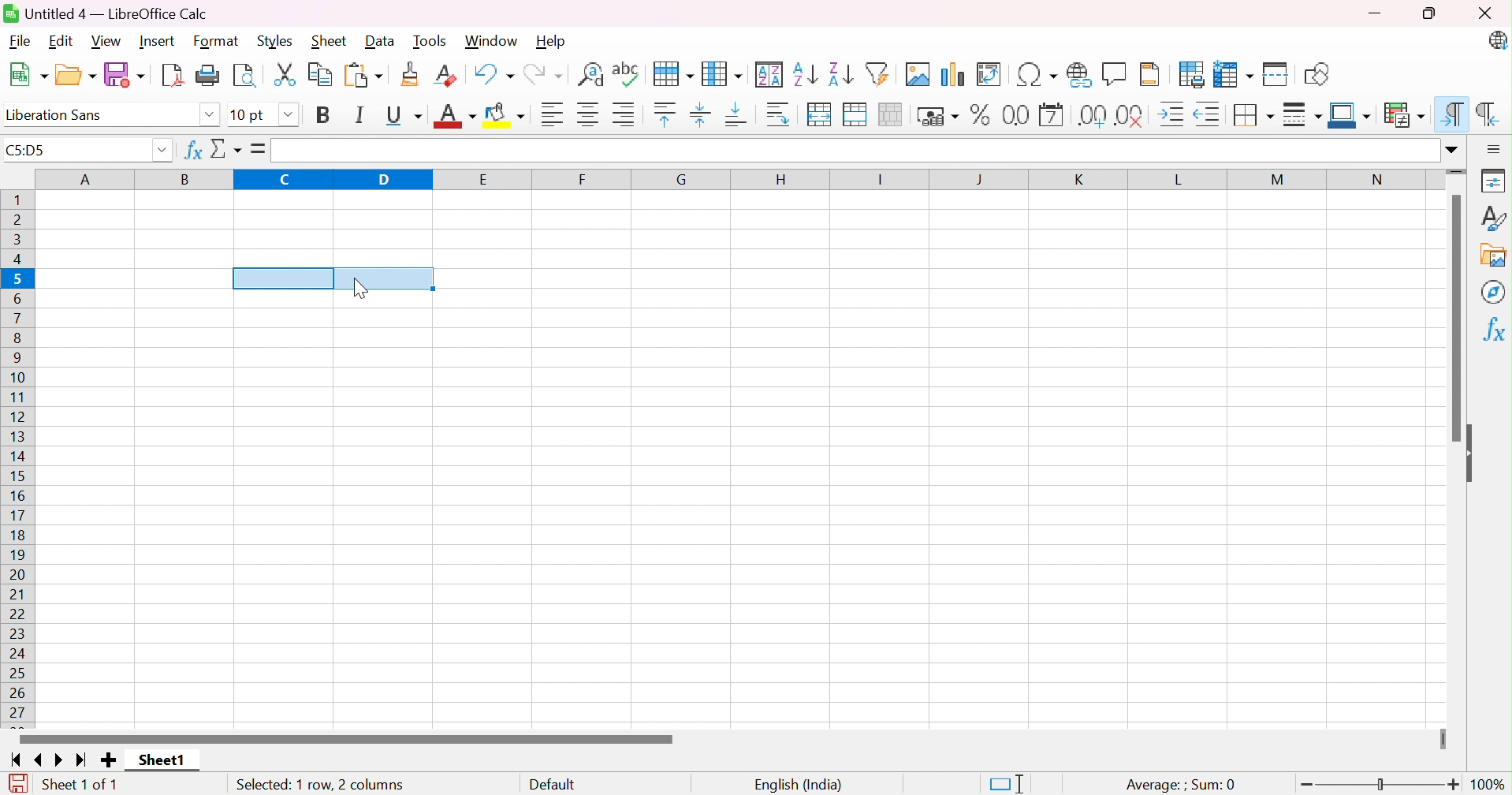 Image resolution: width=1512 pixels, height=795 pixels. Describe the element at coordinates (1015, 114) in the screenshot. I see `Format as Number` at that location.